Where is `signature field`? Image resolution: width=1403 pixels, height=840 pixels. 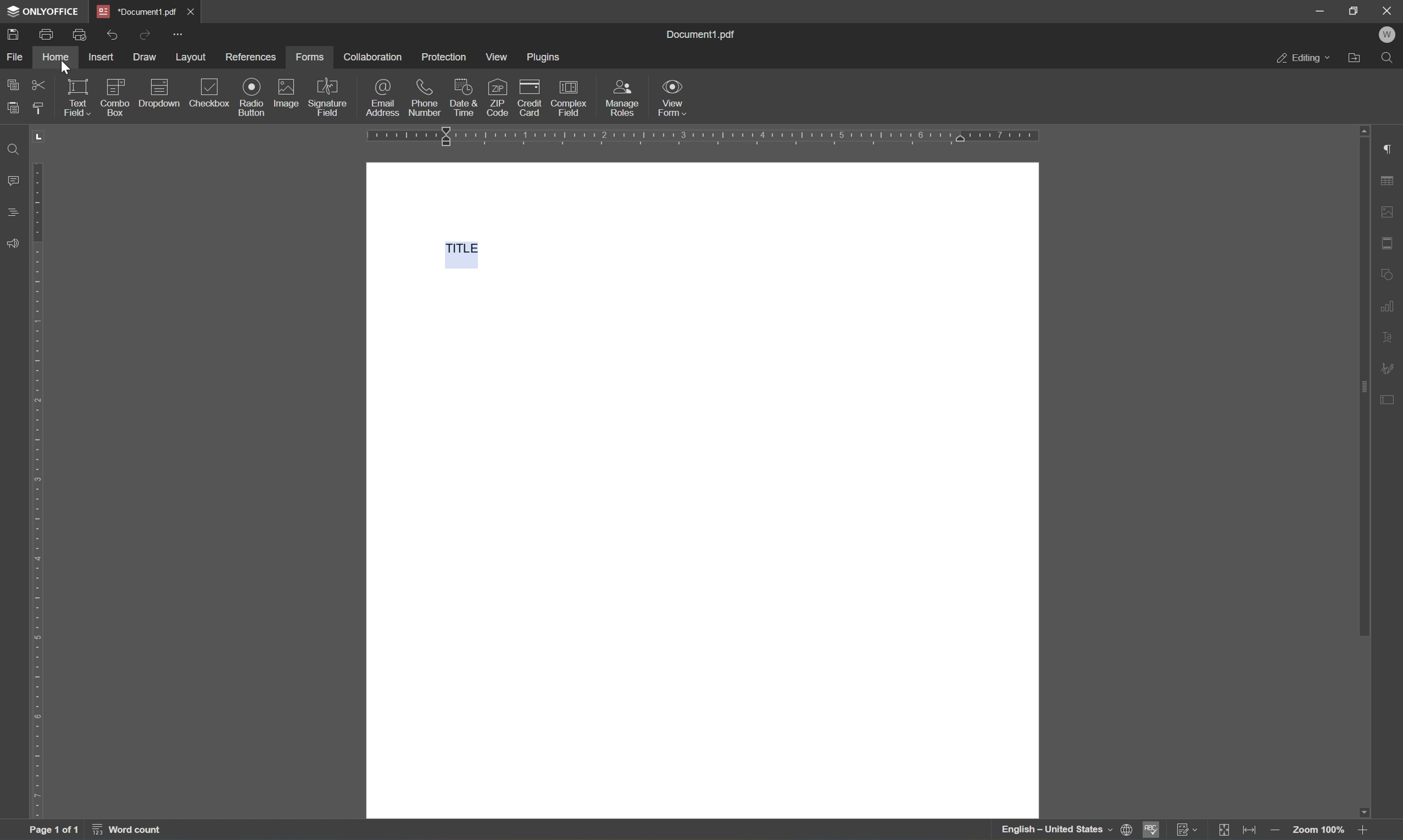 signature field is located at coordinates (329, 96).